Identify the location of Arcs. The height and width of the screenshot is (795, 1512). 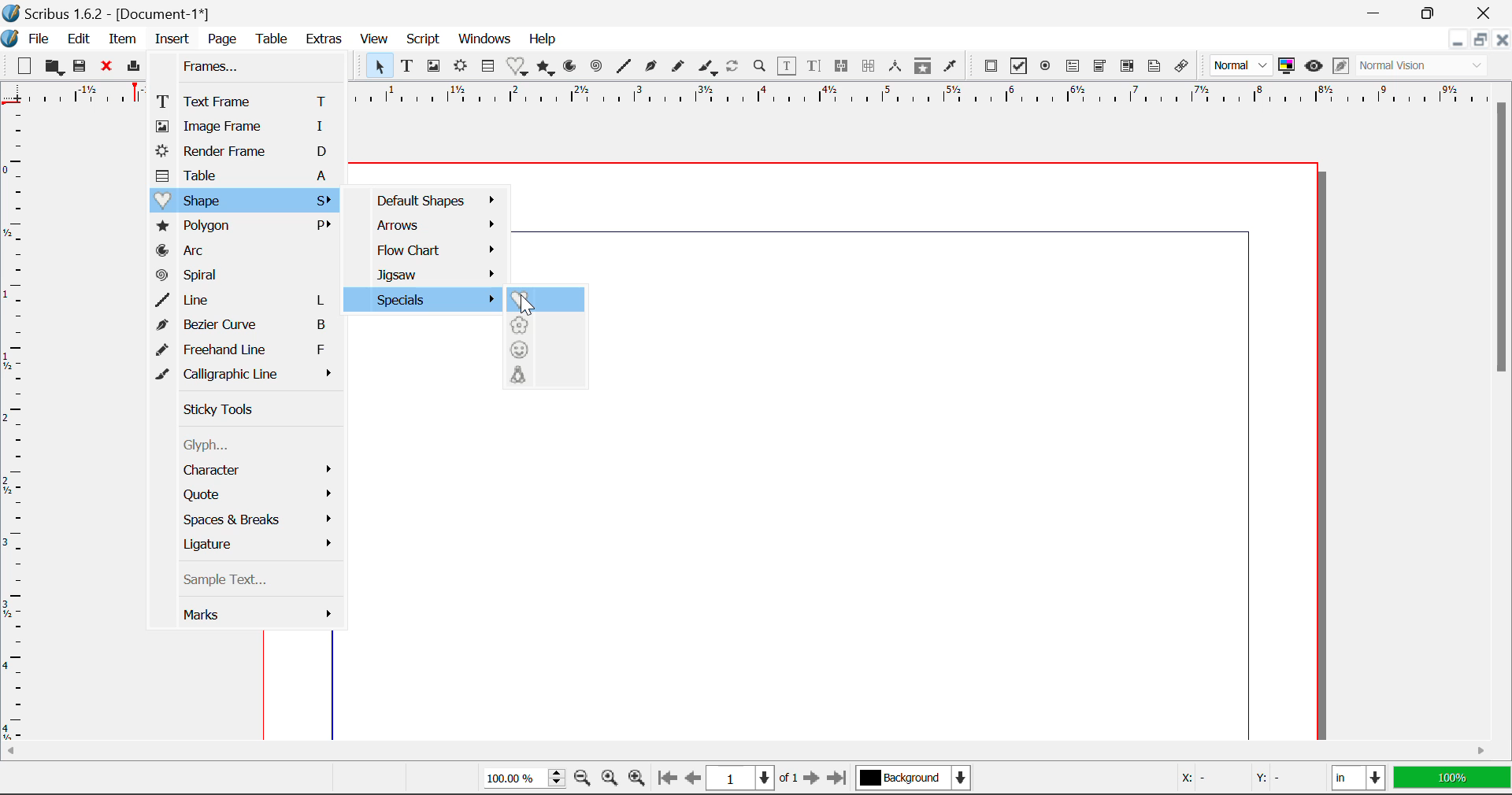
(569, 66).